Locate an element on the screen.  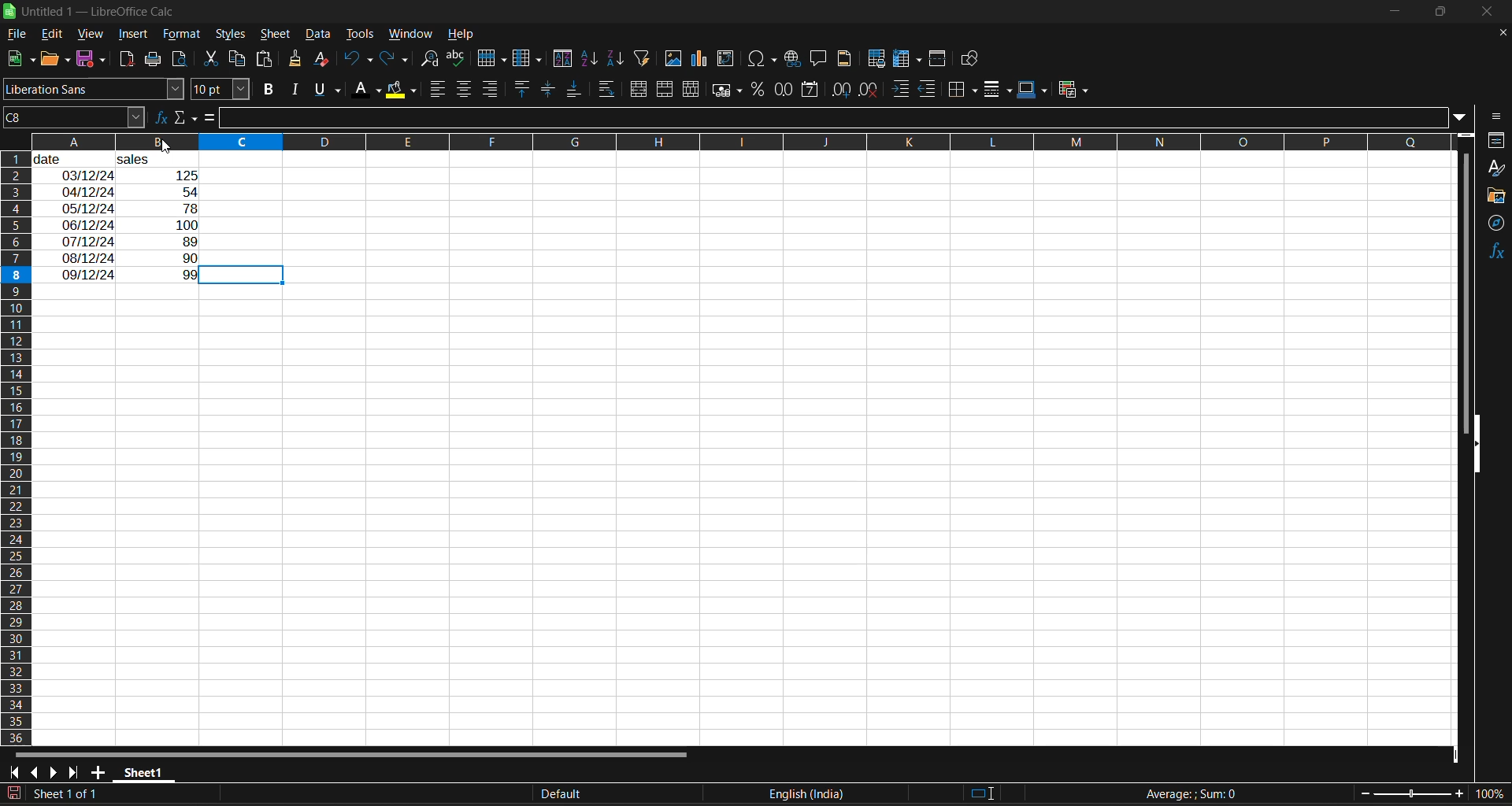
clear direct formatting is located at coordinates (324, 61).